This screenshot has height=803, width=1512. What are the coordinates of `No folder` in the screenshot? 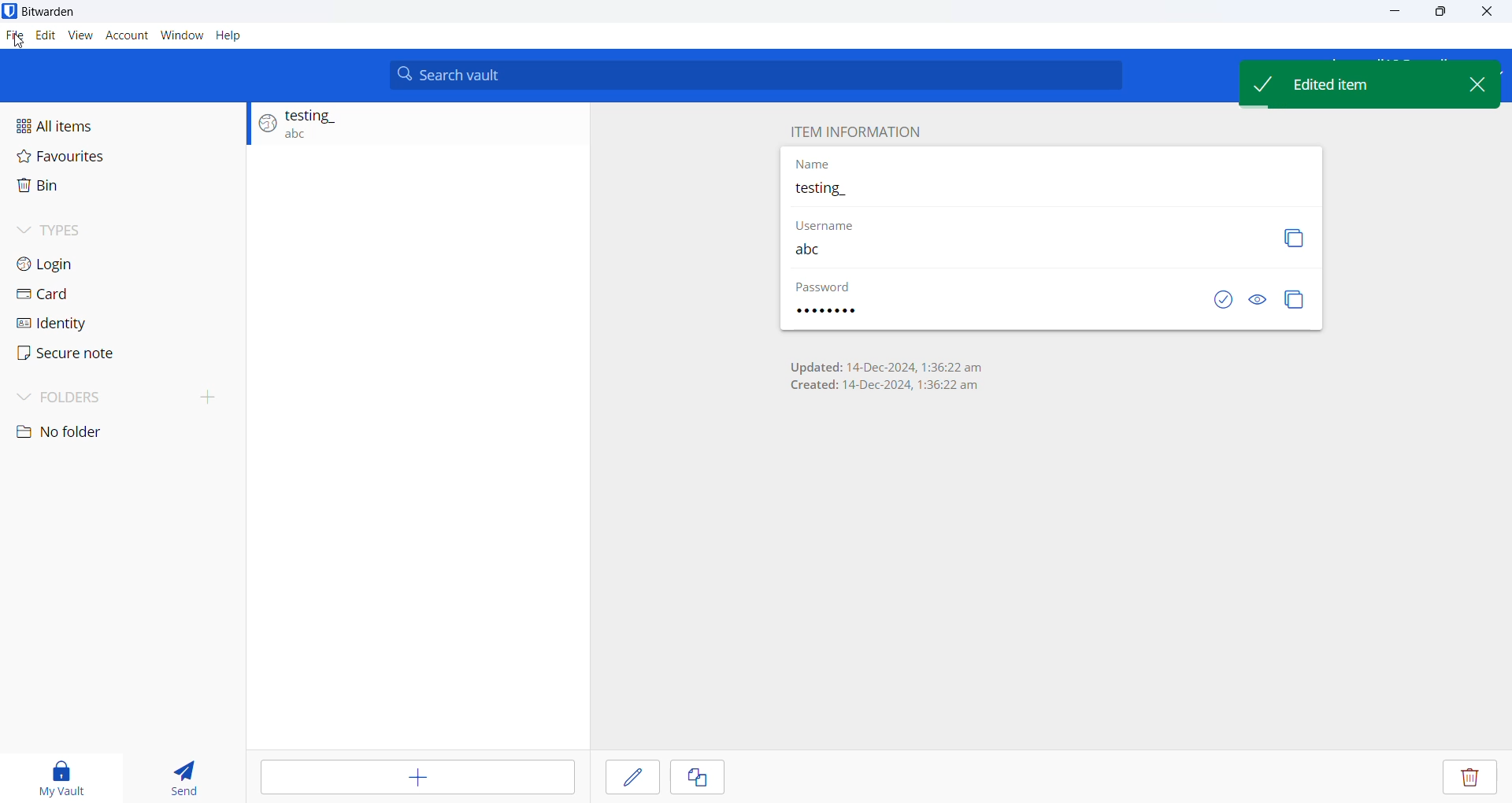 It's located at (78, 434).